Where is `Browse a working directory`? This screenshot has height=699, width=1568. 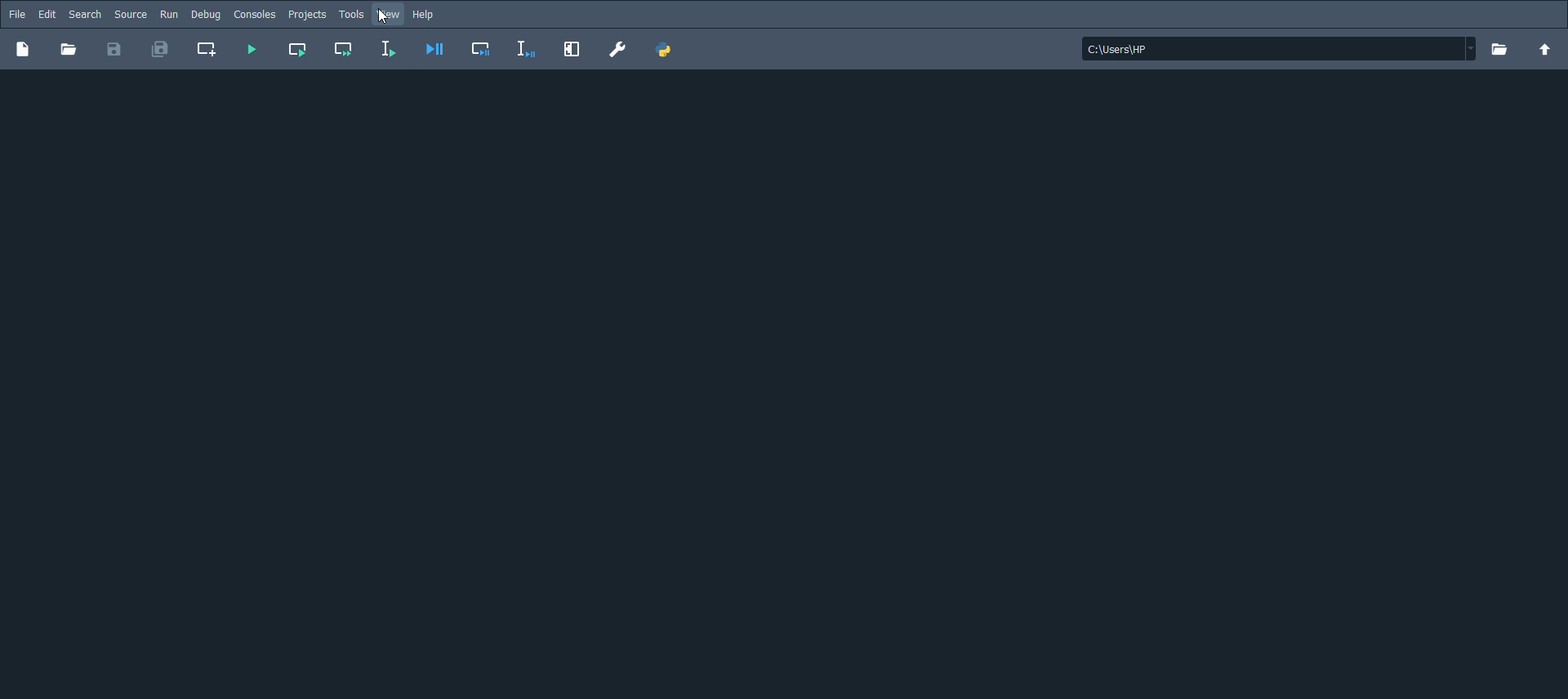 Browse a working directory is located at coordinates (1502, 50).